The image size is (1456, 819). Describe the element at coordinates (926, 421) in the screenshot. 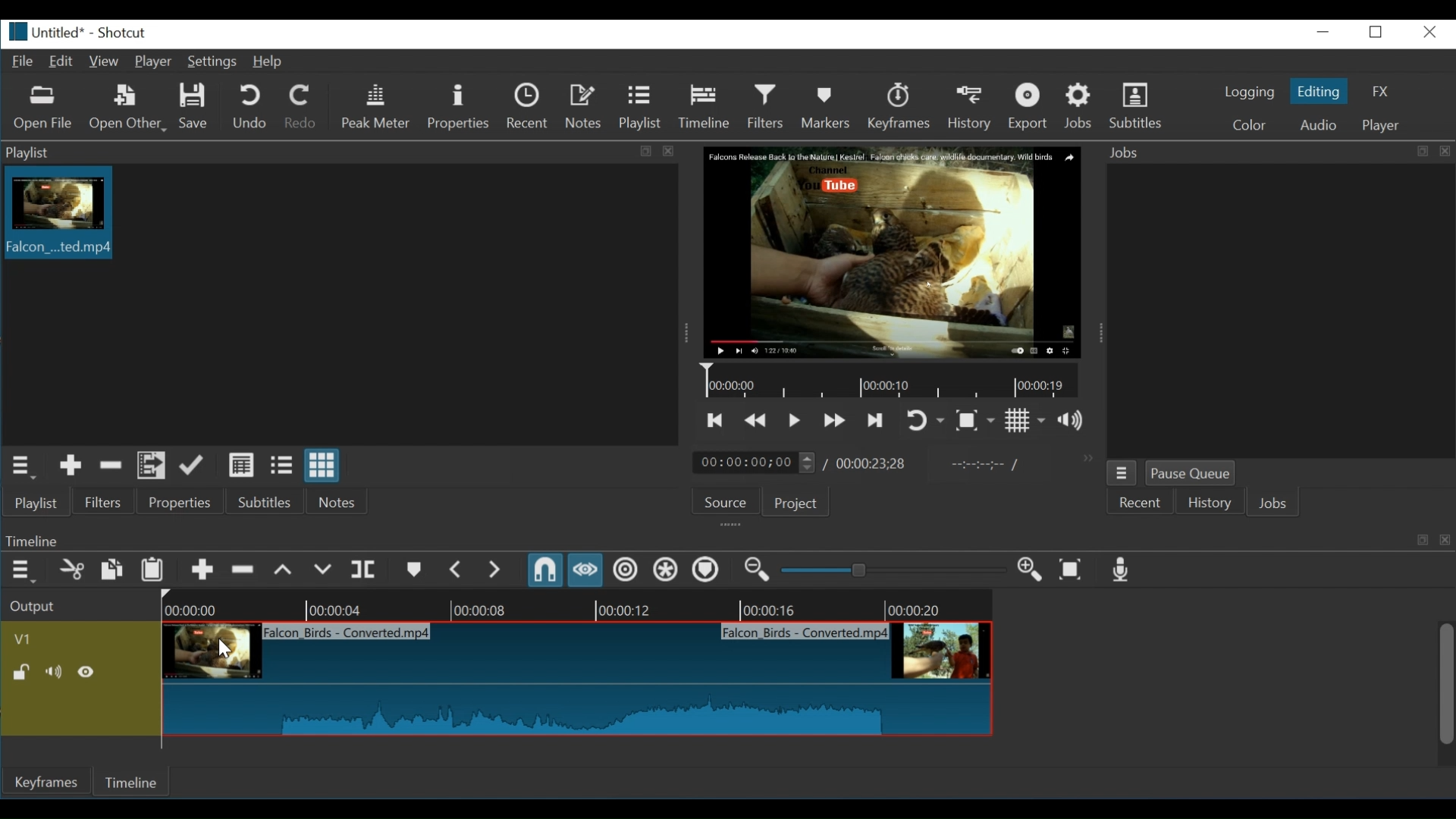

I see `Toggle player looping` at that location.